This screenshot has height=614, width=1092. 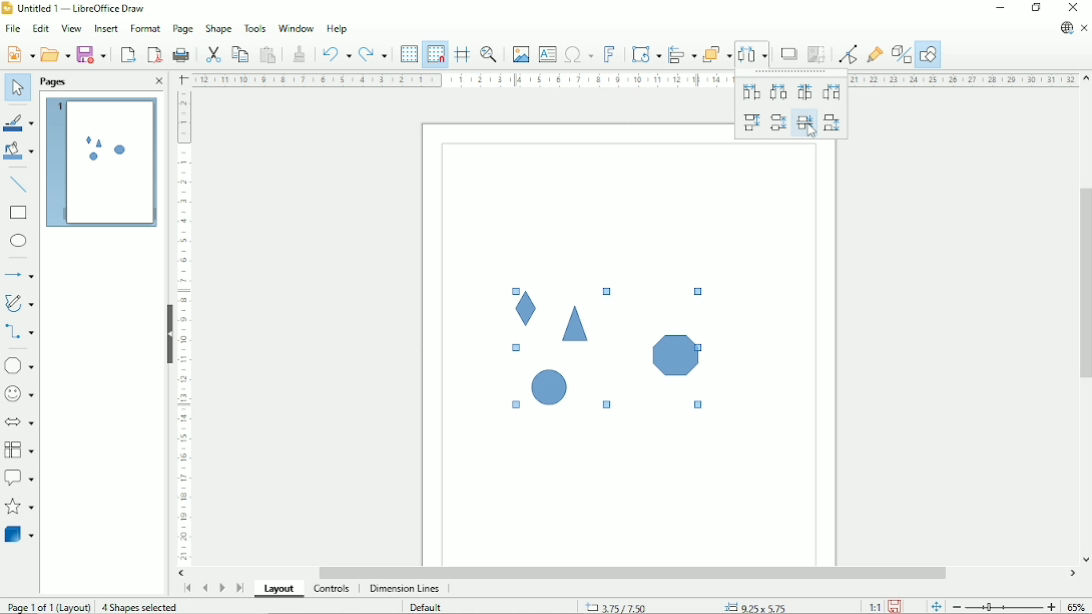 What do you see at coordinates (681, 54) in the screenshot?
I see `Align objects` at bounding box center [681, 54].